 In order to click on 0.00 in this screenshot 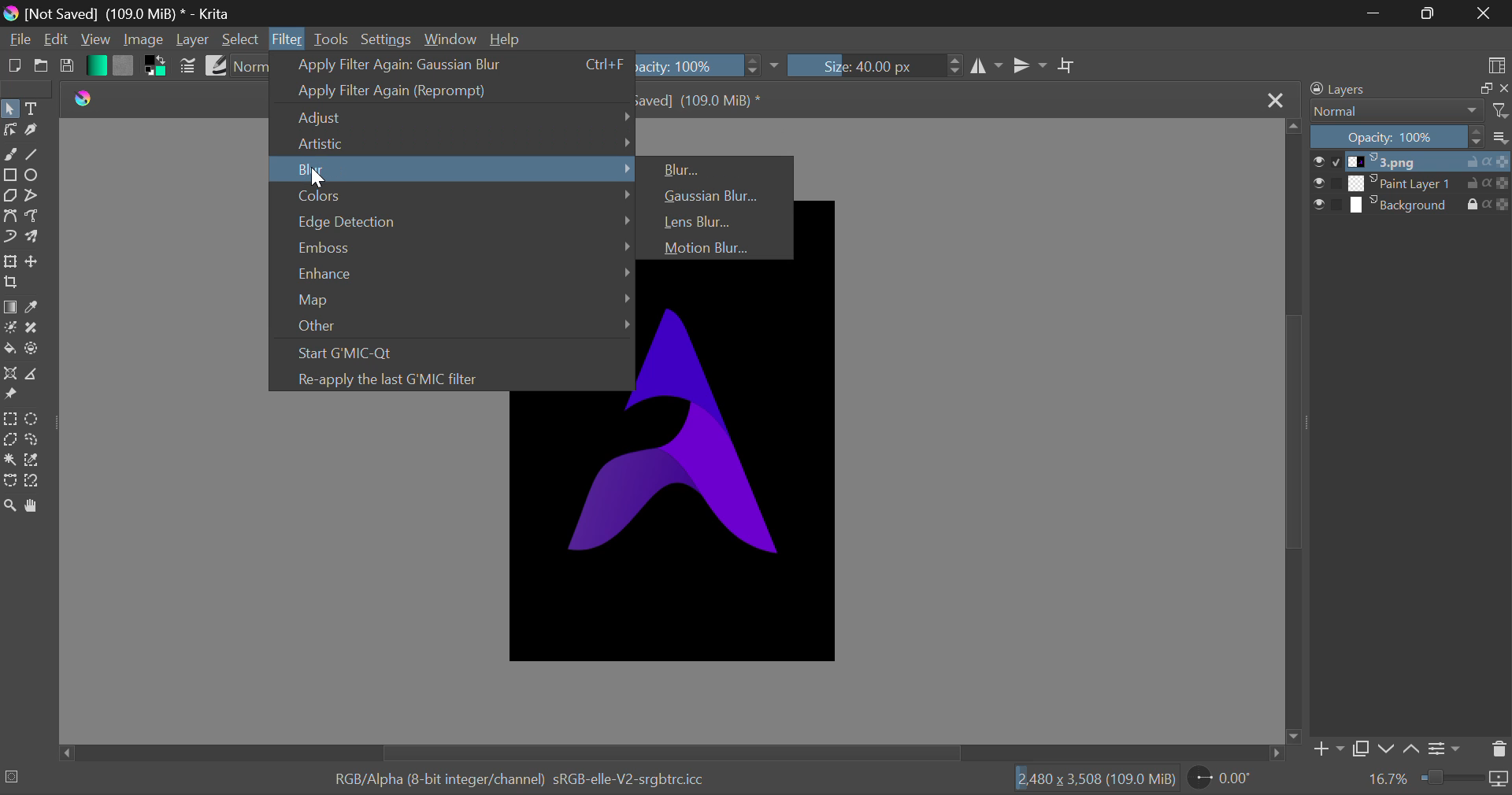, I will do `click(1223, 780)`.